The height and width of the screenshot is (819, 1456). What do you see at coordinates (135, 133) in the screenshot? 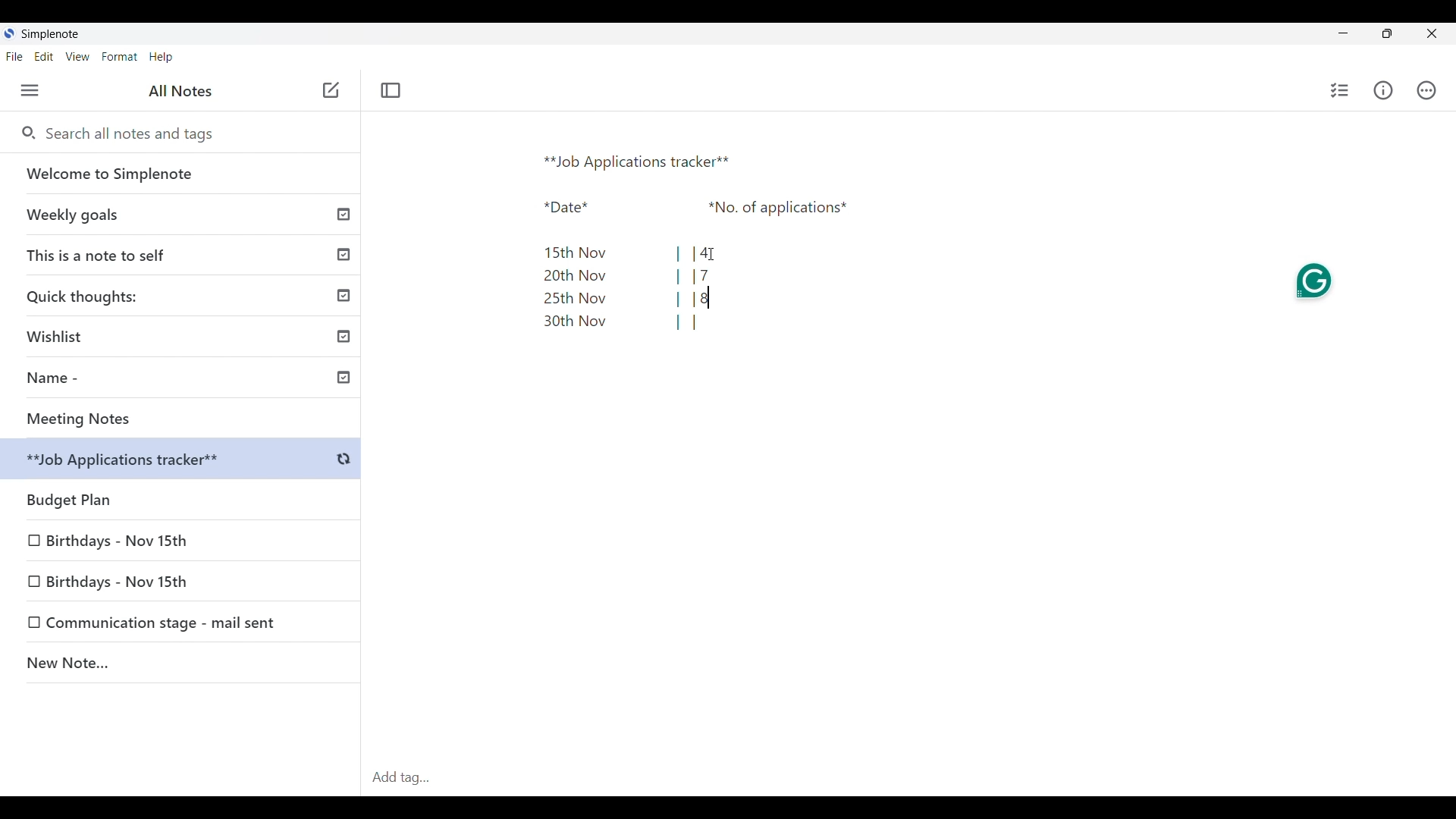
I see `Search all notes and tags` at bounding box center [135, 133].